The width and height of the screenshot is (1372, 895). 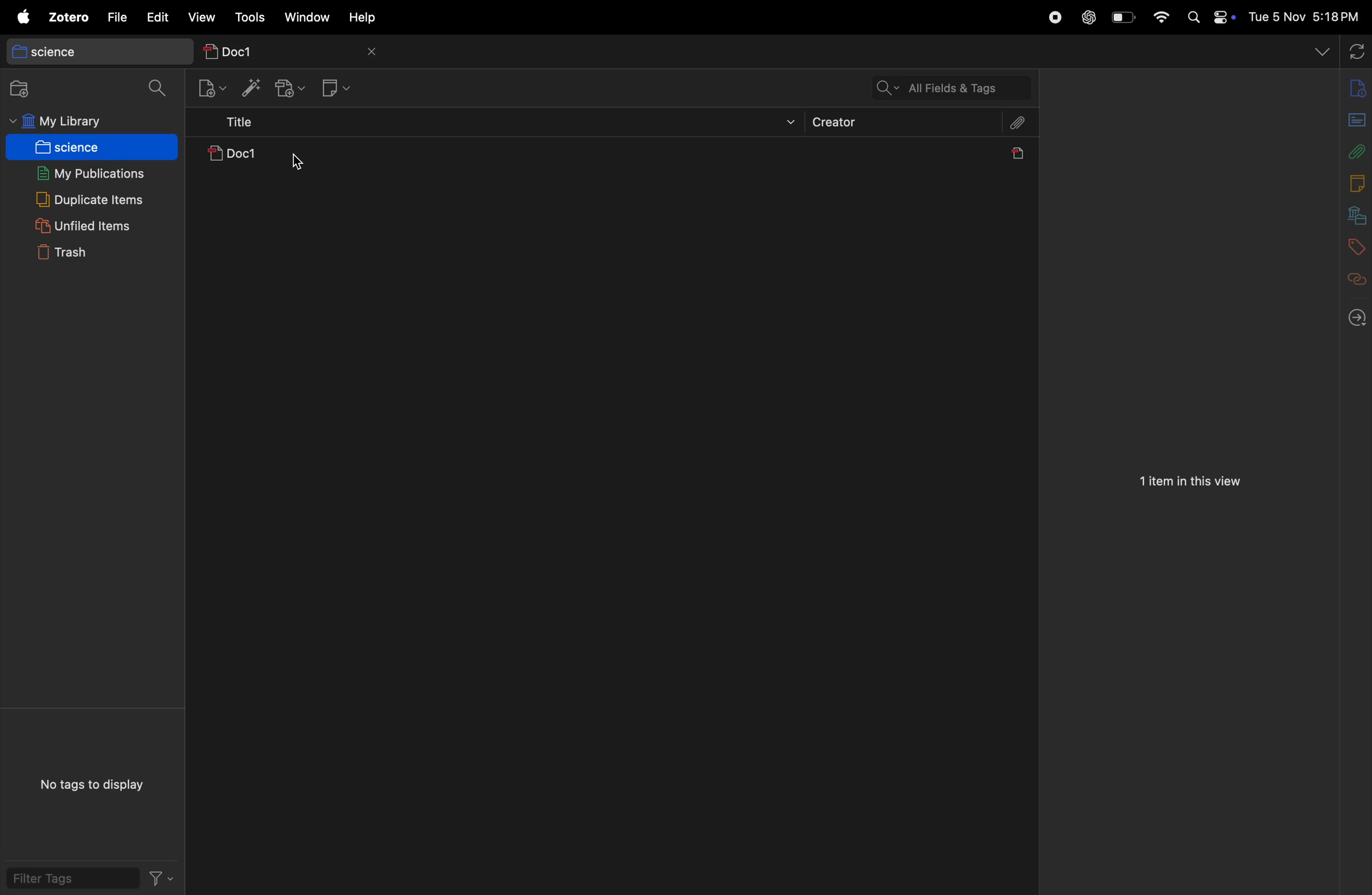 What do you see at coordinates (274, 48) in the screenshot?
I see `doc 1` at bounding box center [274, 48].